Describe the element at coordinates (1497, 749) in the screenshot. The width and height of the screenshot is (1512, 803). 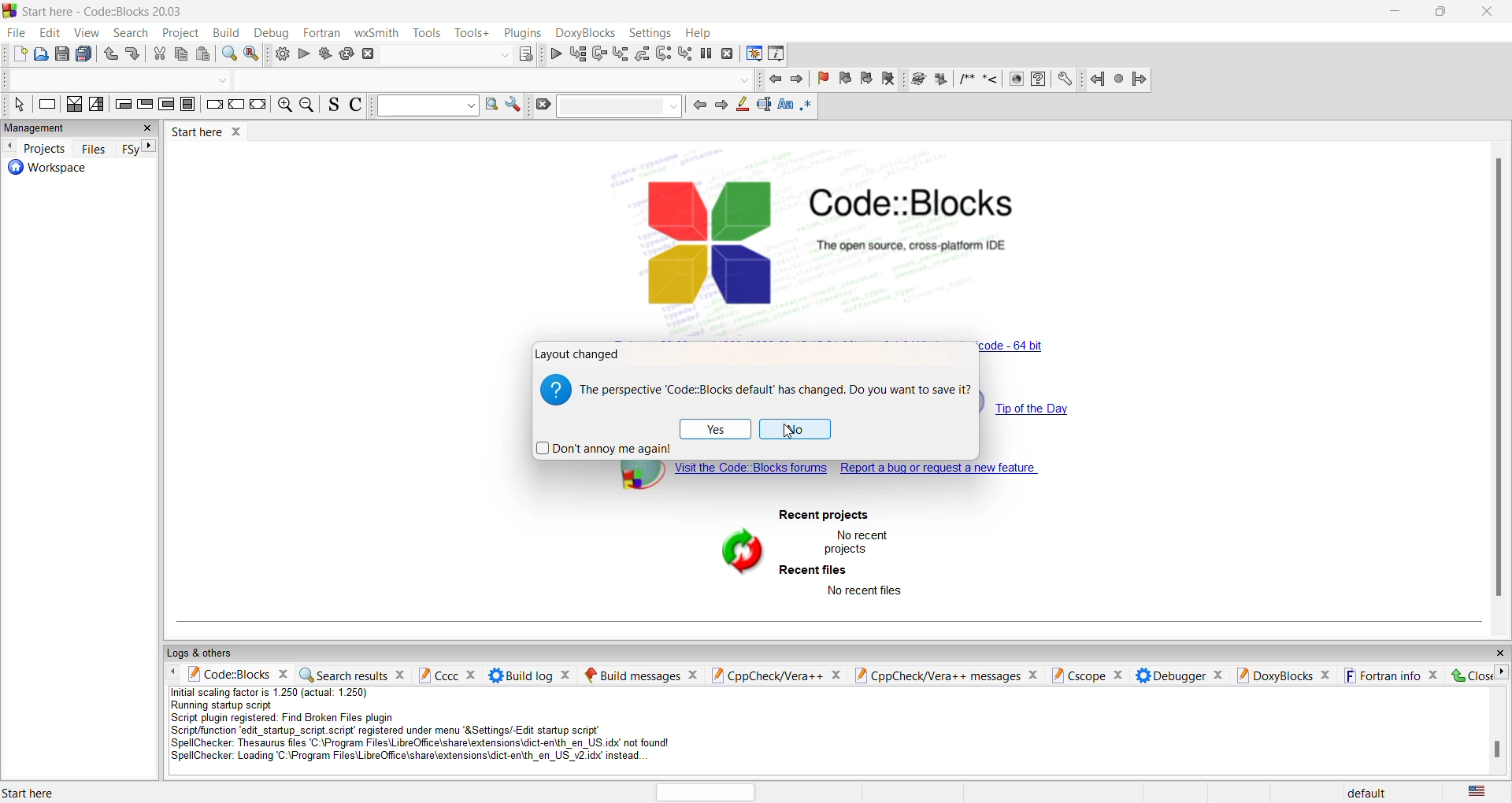
I see `scrollbar` at that location.